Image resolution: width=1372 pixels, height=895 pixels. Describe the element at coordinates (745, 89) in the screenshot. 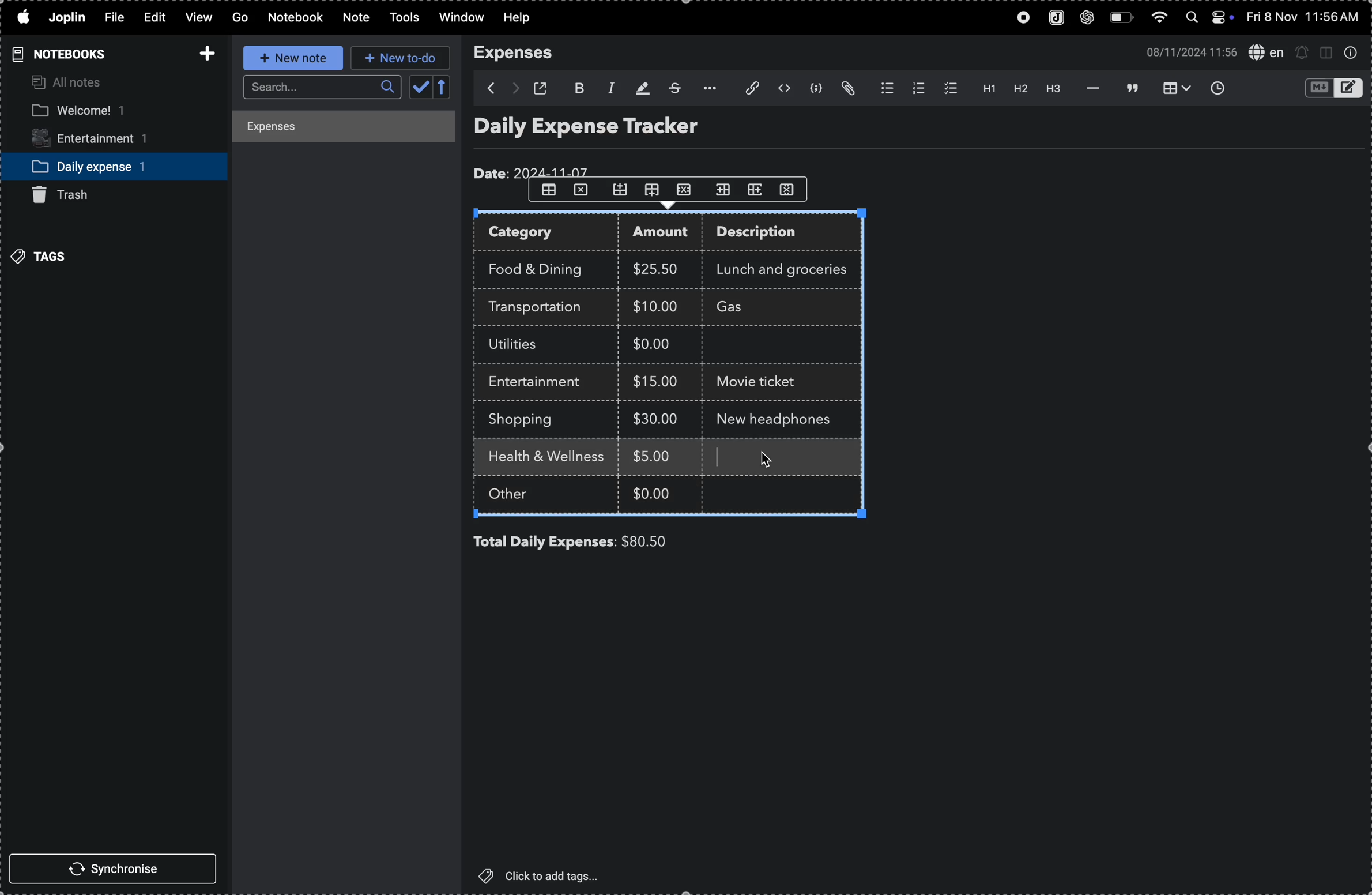

I see `attach file` at that location.